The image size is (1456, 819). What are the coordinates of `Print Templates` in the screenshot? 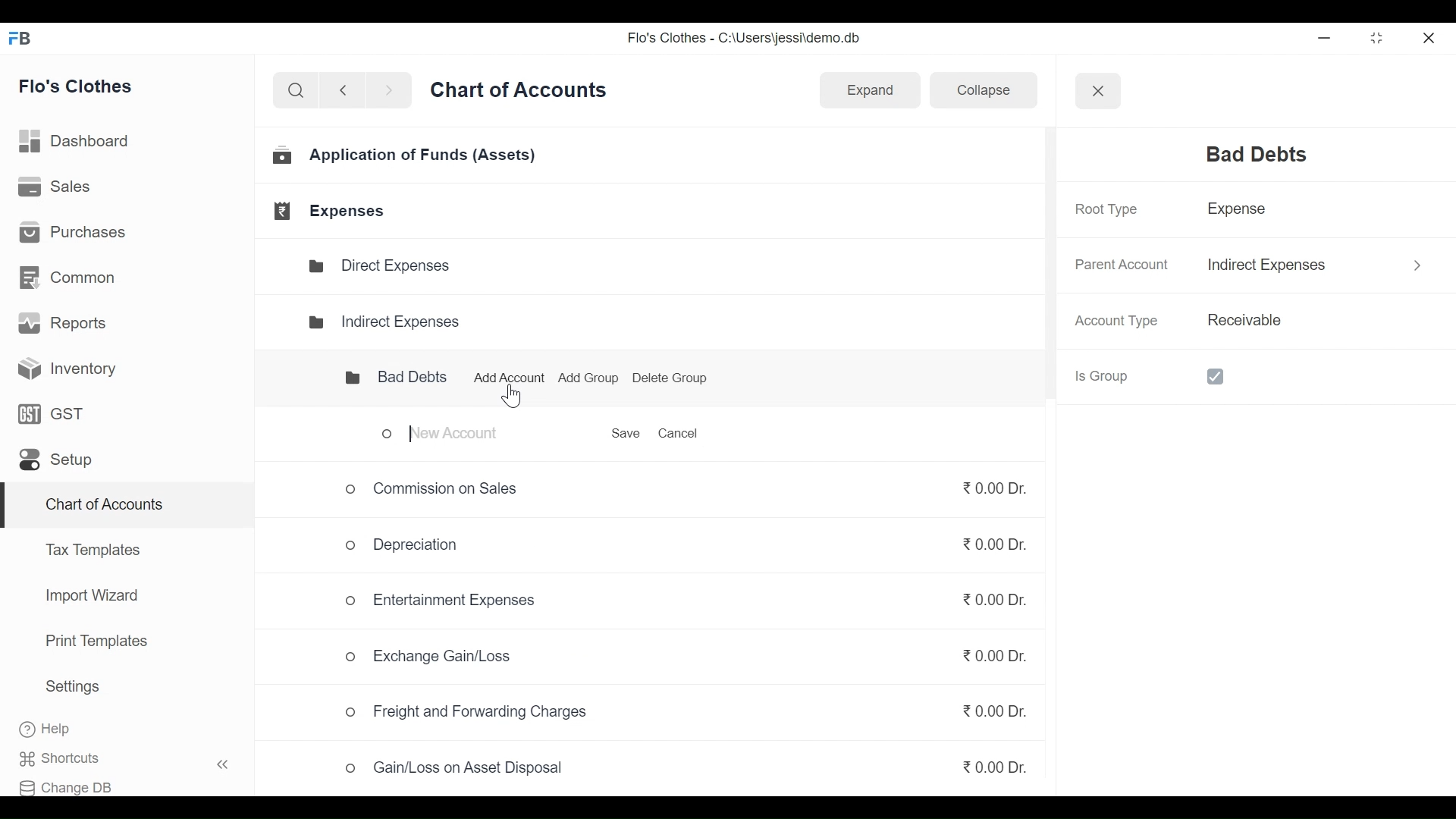 It's located at (95, 641).